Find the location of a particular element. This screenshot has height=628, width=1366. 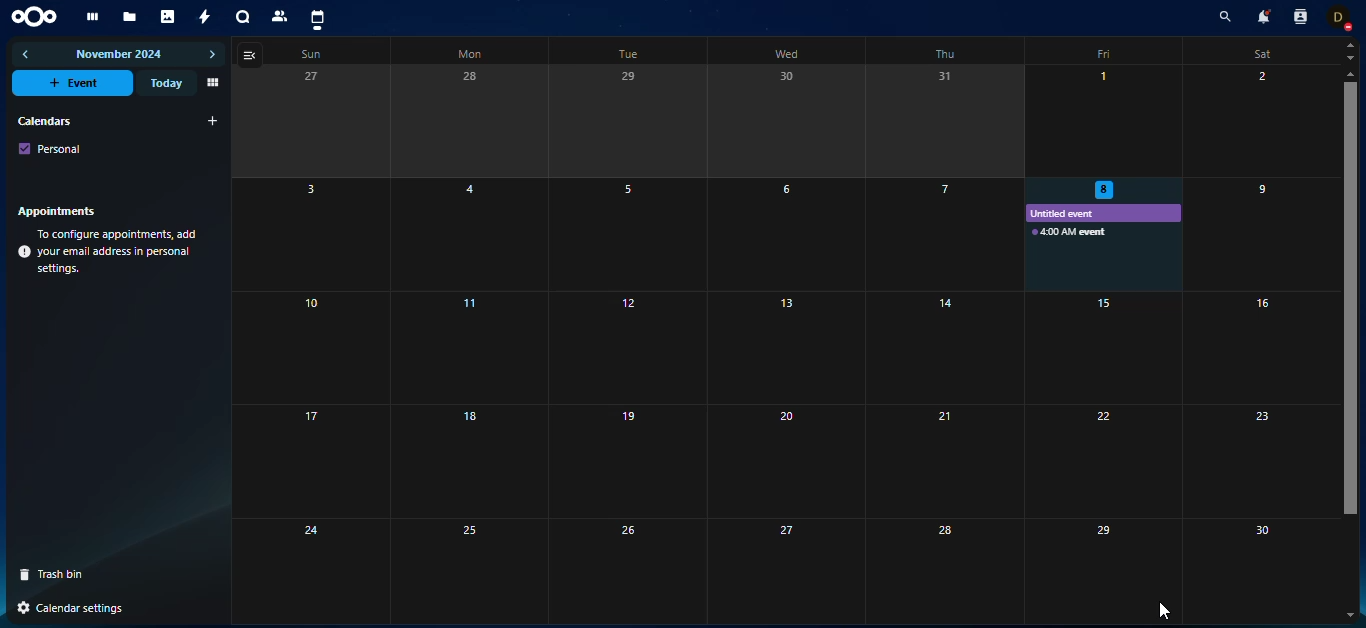

talk is located at coordinates (243, 18).